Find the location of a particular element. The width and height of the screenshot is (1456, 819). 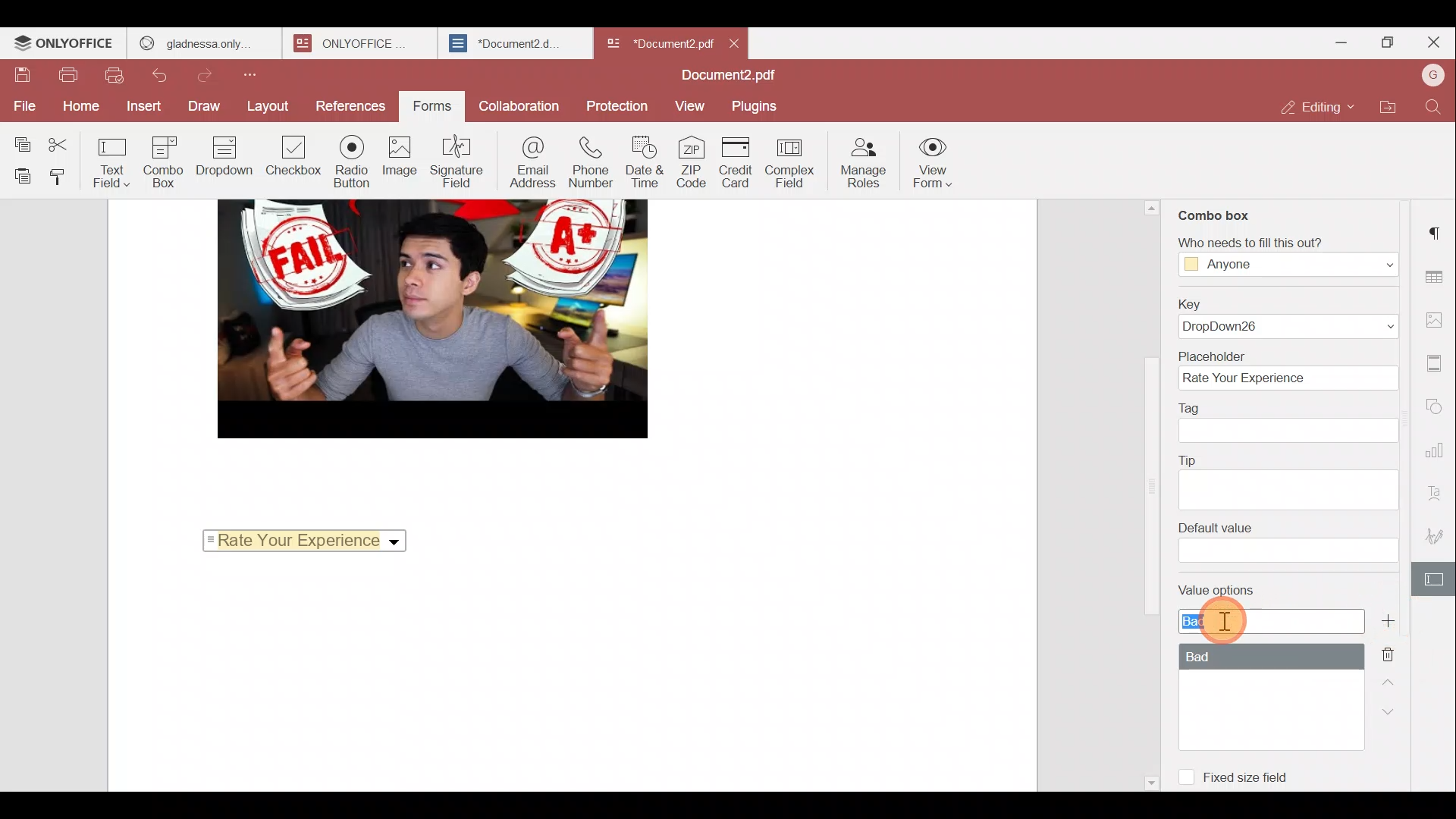

*Document2.d. is located at coordinates (505, 41).